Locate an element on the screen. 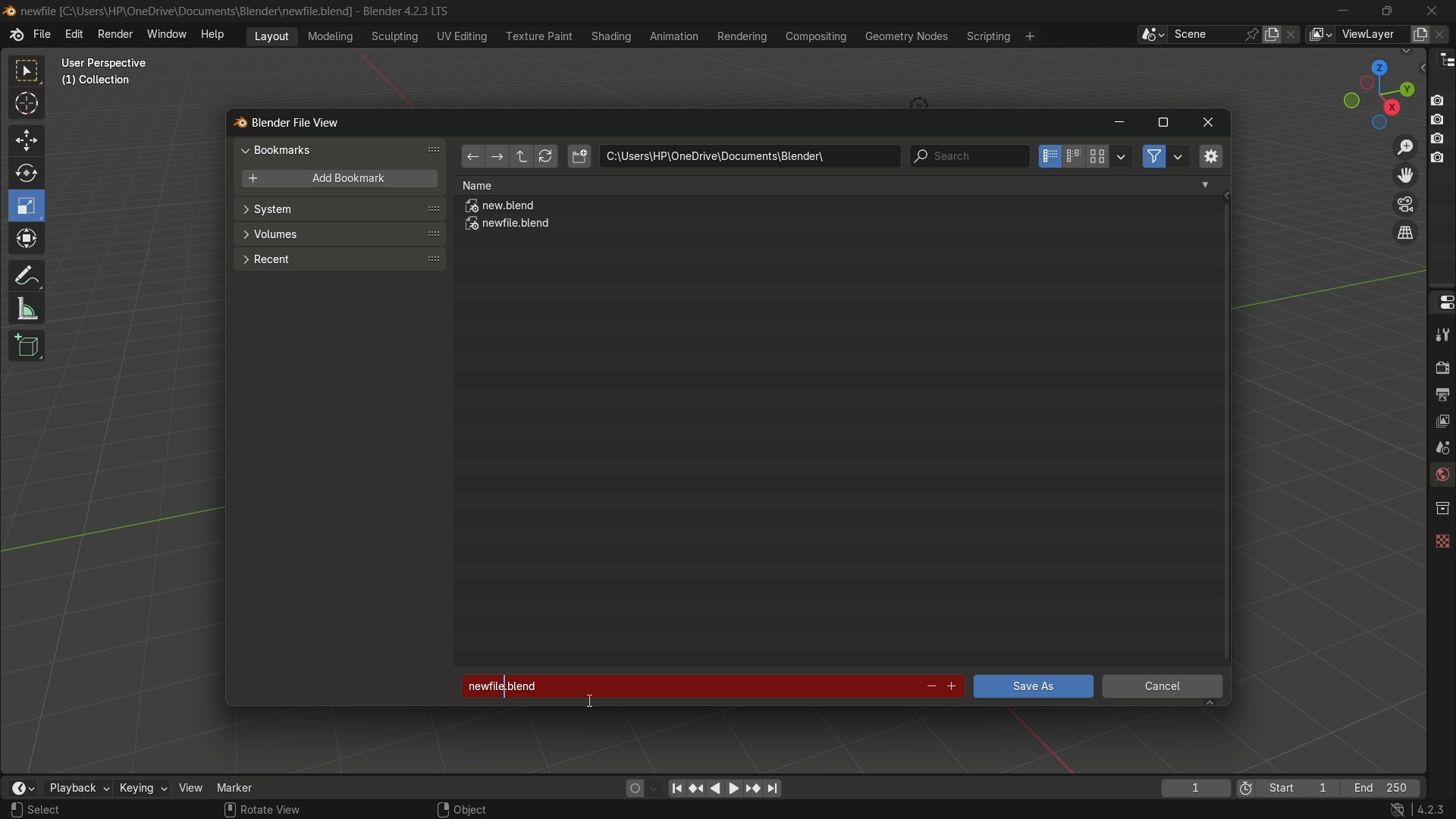 This screenshot has height=819, width=1456. filter settings is located at coordinates (1179, 156).